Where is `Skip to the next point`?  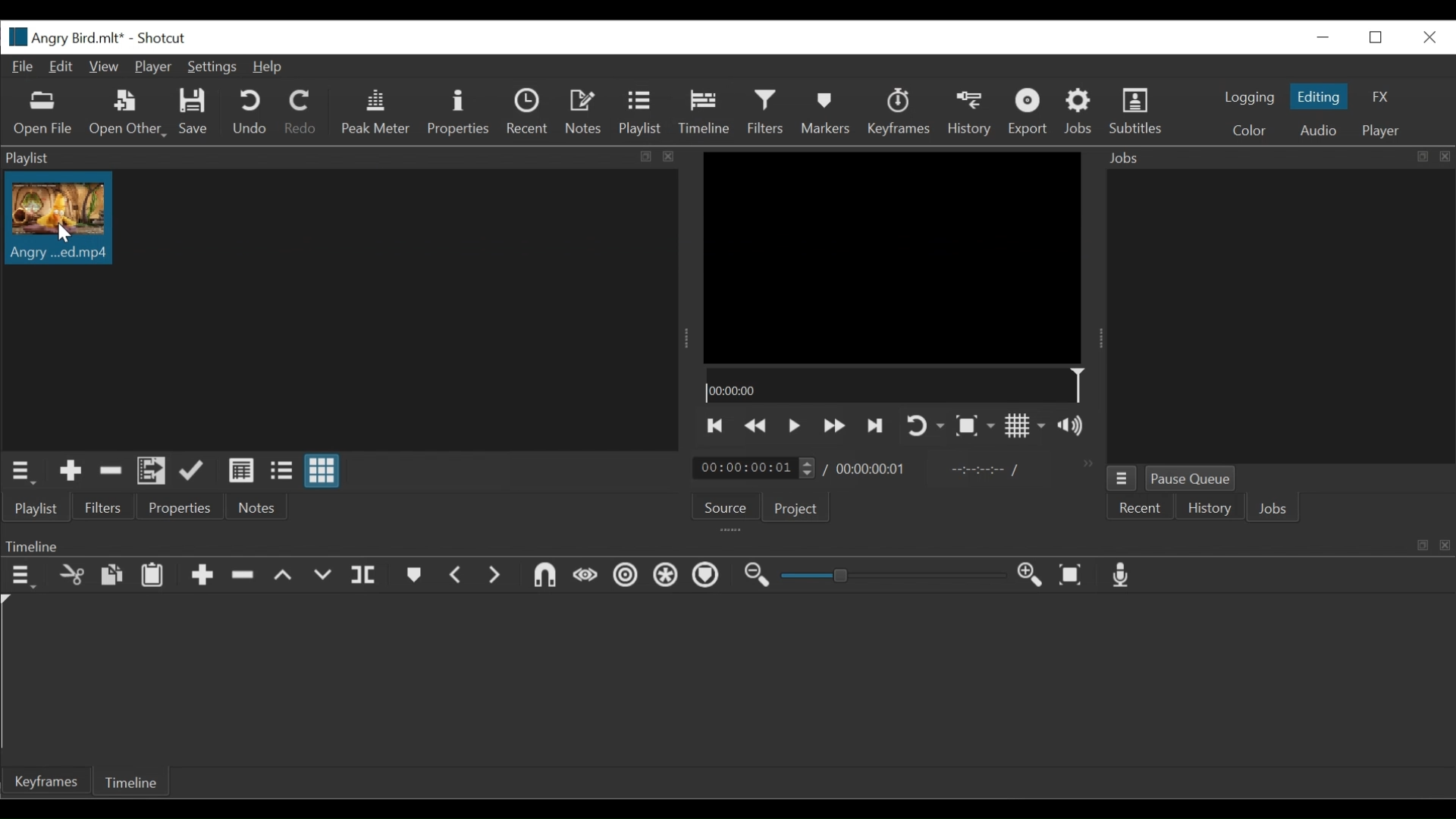 Skip to the next point is located at coordinates (876, 424).